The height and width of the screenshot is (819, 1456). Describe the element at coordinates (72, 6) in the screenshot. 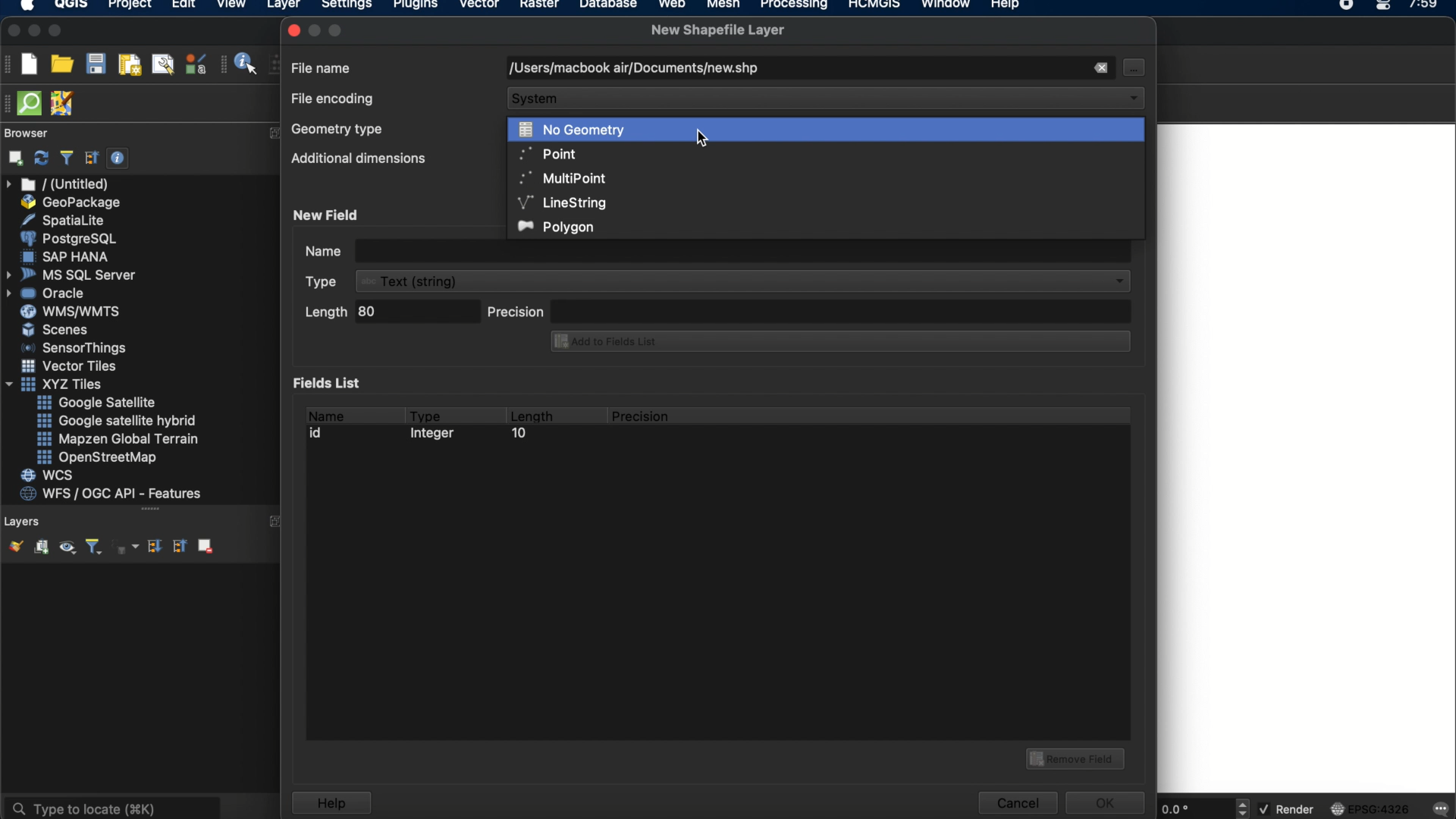

I see `QGIS` at that location.